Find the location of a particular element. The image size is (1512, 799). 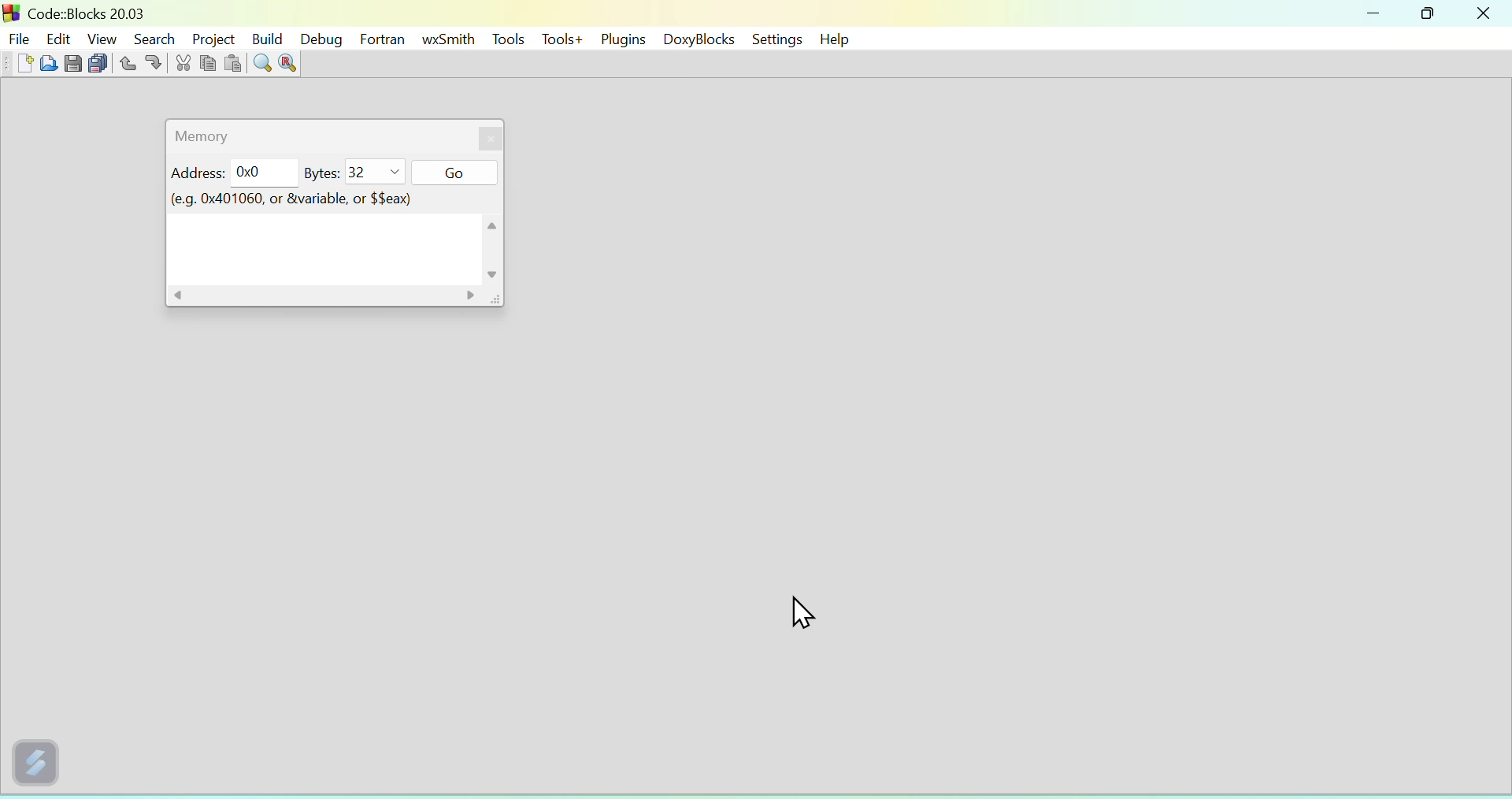

undo is located at coordinates (124, 63).